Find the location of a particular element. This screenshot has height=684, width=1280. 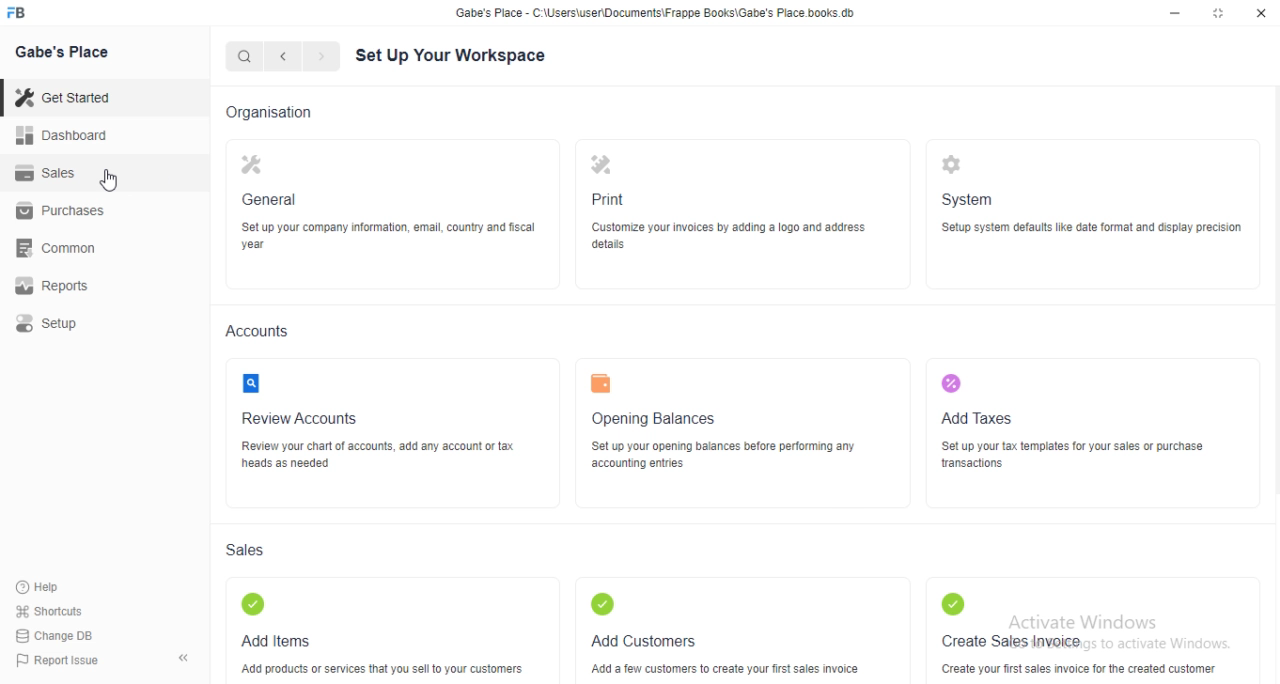

common is located at coordinates (56, 248).